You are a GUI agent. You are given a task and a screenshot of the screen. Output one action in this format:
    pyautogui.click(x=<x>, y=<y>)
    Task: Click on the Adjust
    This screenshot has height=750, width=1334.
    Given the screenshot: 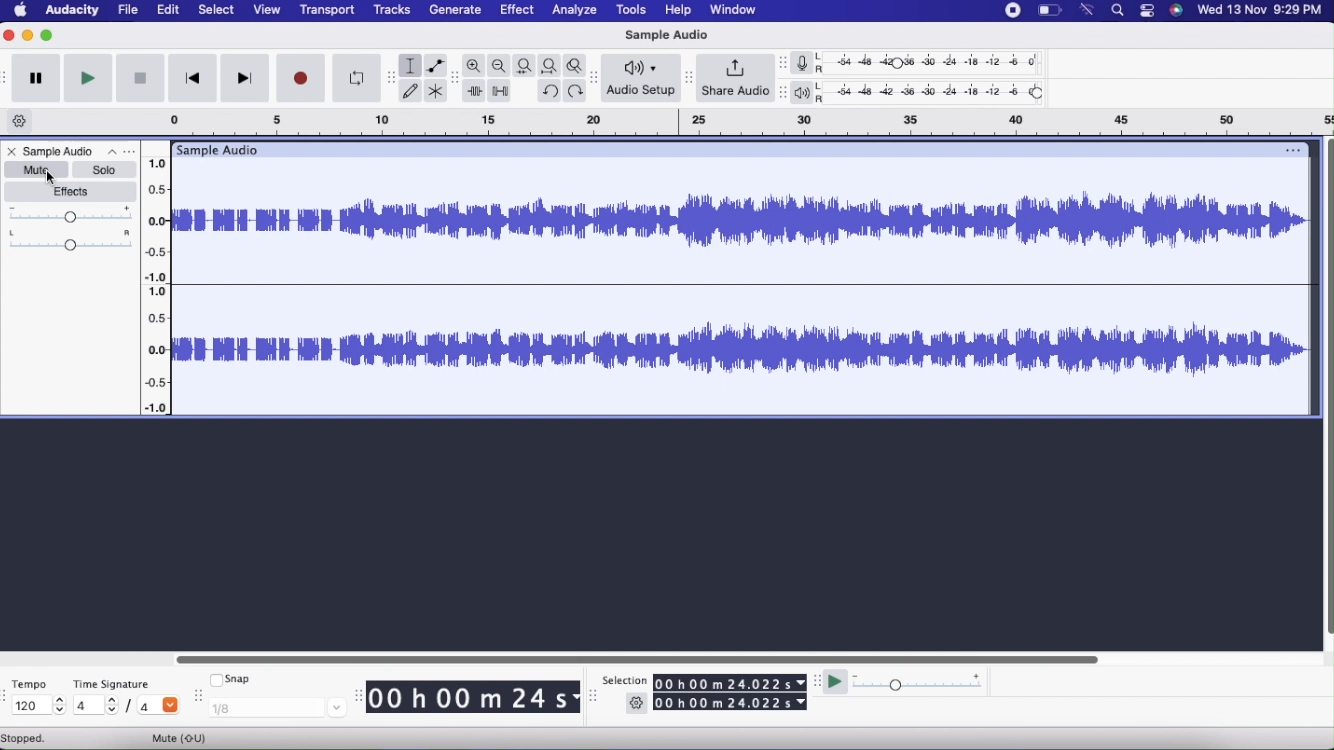 What is the action you would take?
    pyautogui.click(x=457, y=80)
    